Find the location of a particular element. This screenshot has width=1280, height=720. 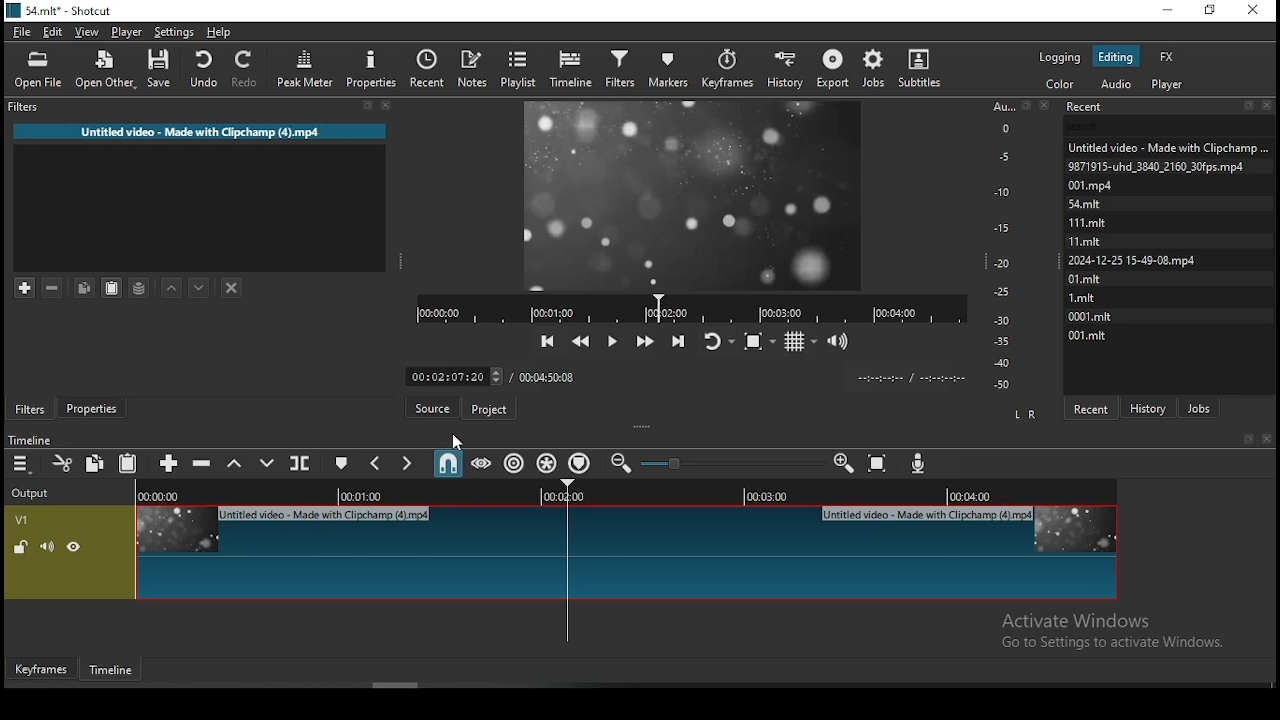

video track is located at coordinates (627, 547).